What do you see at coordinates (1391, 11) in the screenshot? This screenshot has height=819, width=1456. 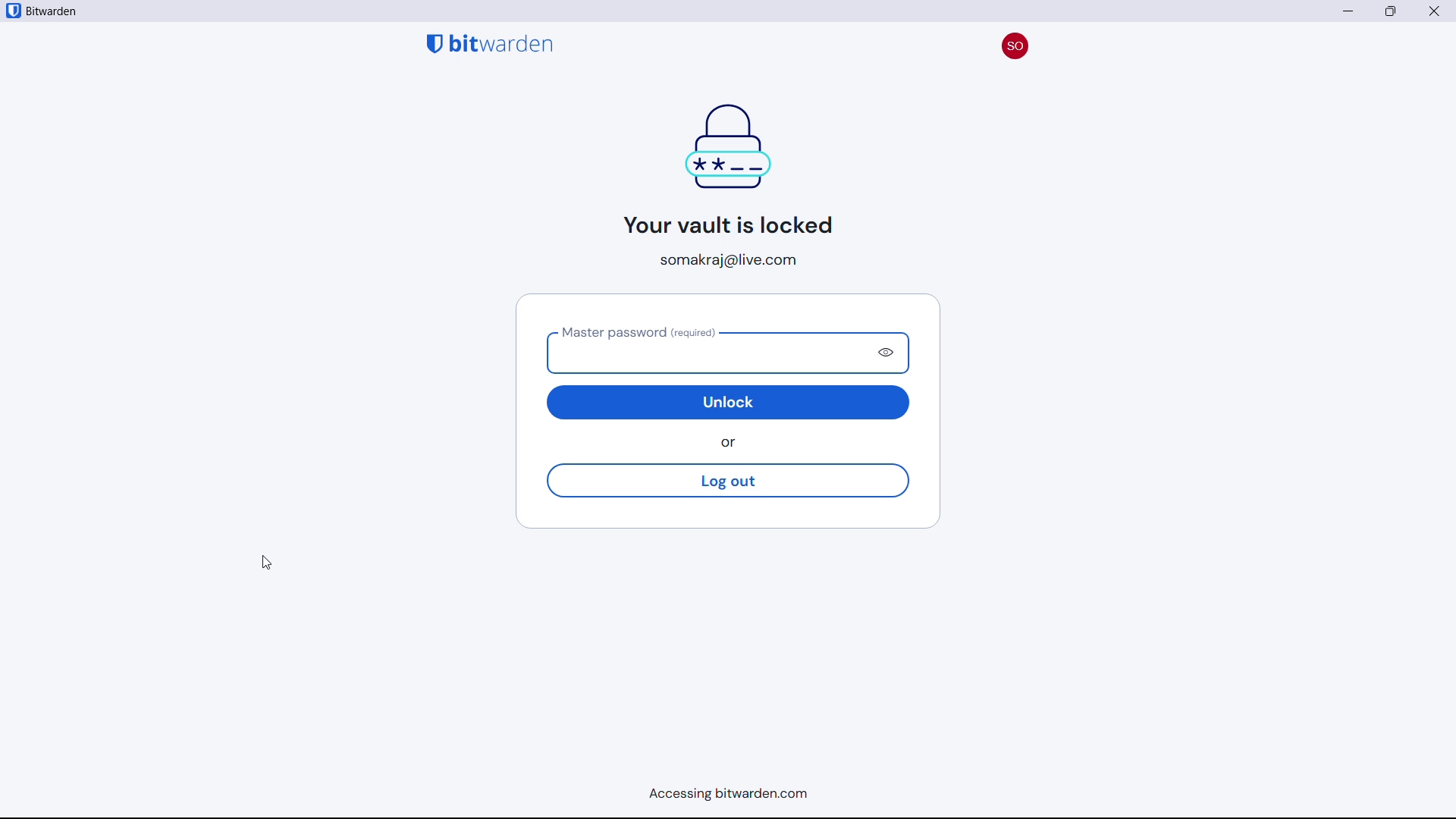 I see `close` at bounding box center [1391, 11].